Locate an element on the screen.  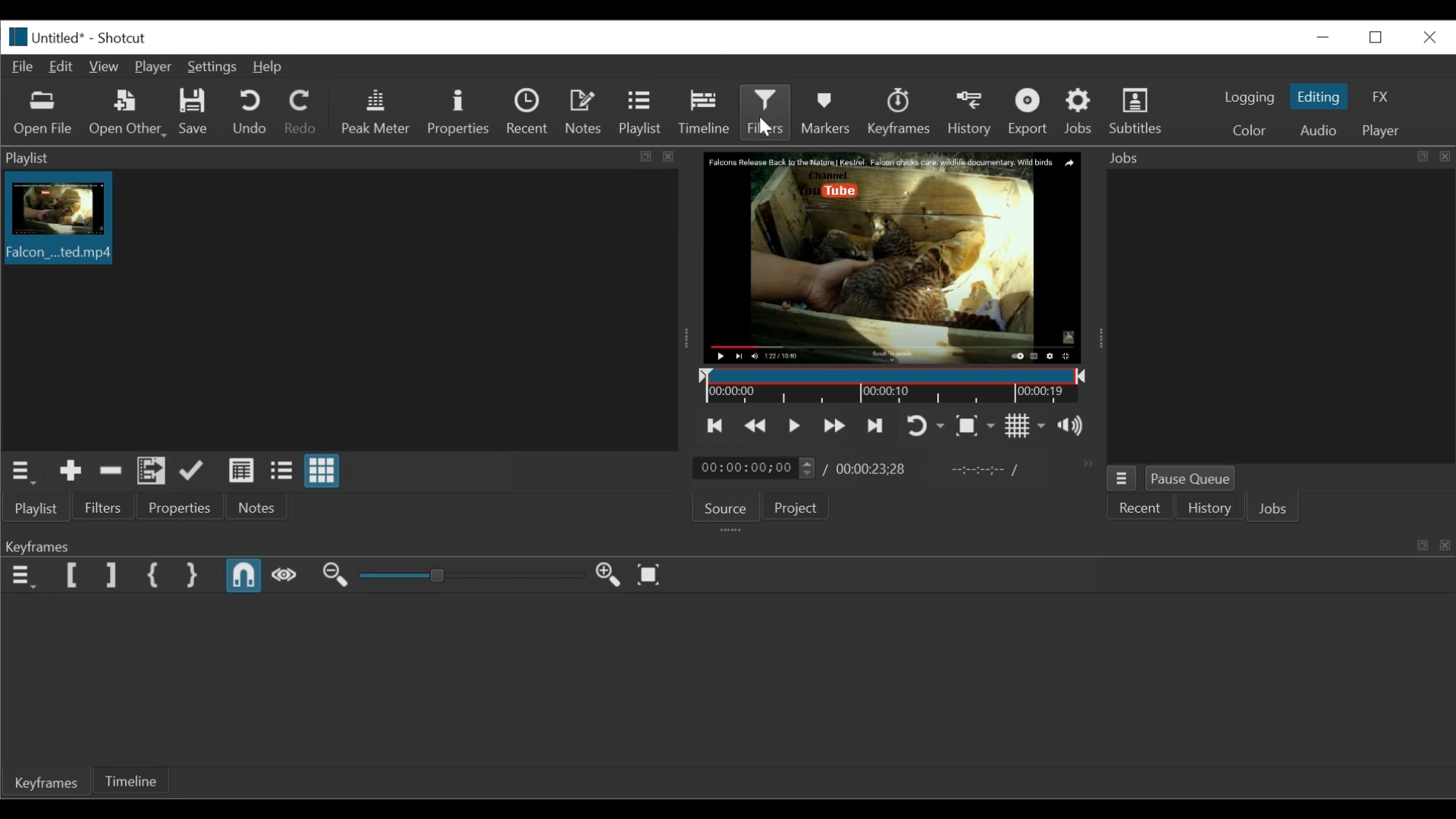
Toggle zoom is located at coordinates (977, 426).